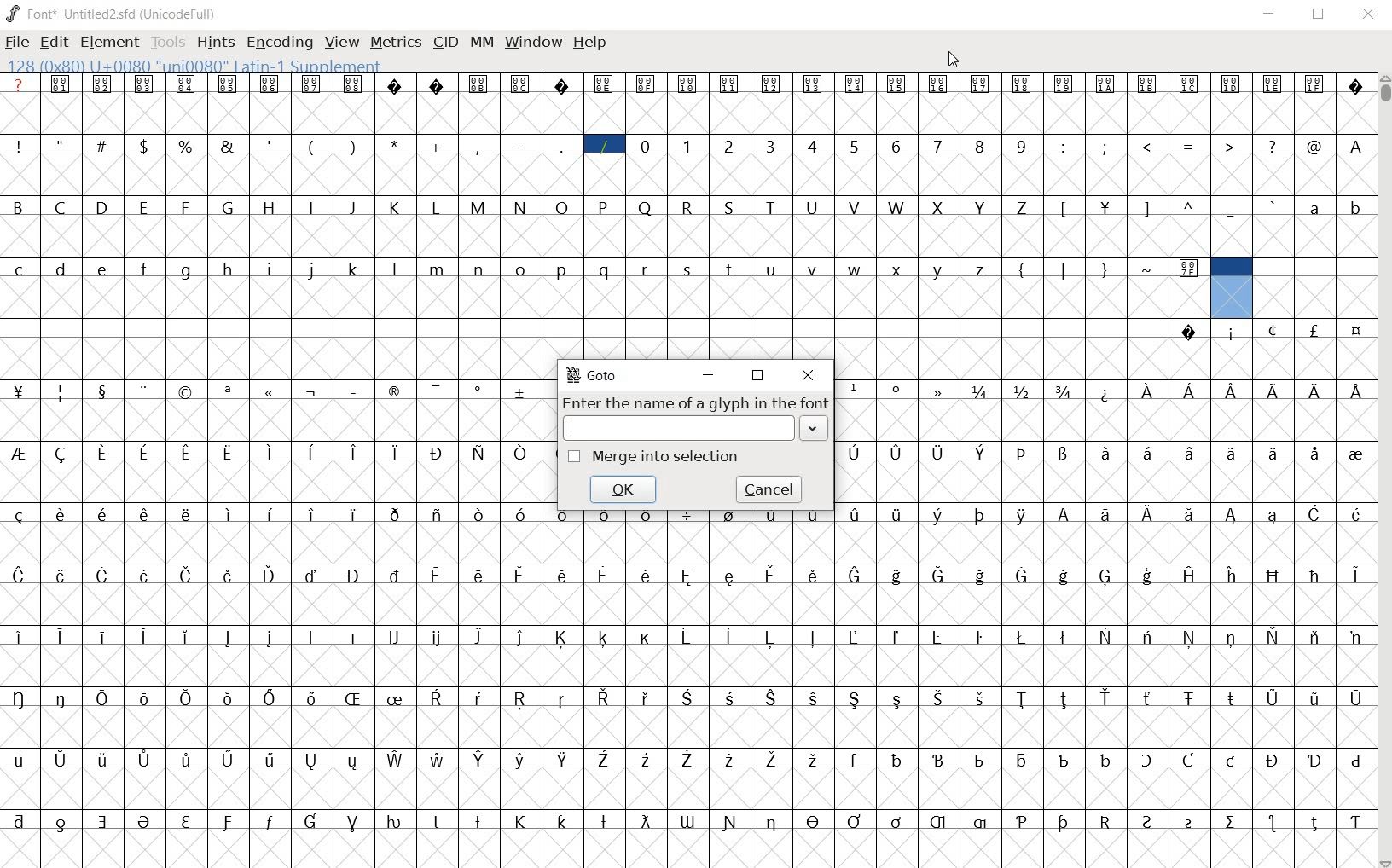 The height and width of the screenshot is (868, 1392). Describe the element at coordinates (1231, 286) in the screenshot. I see `cell selected` at that location.